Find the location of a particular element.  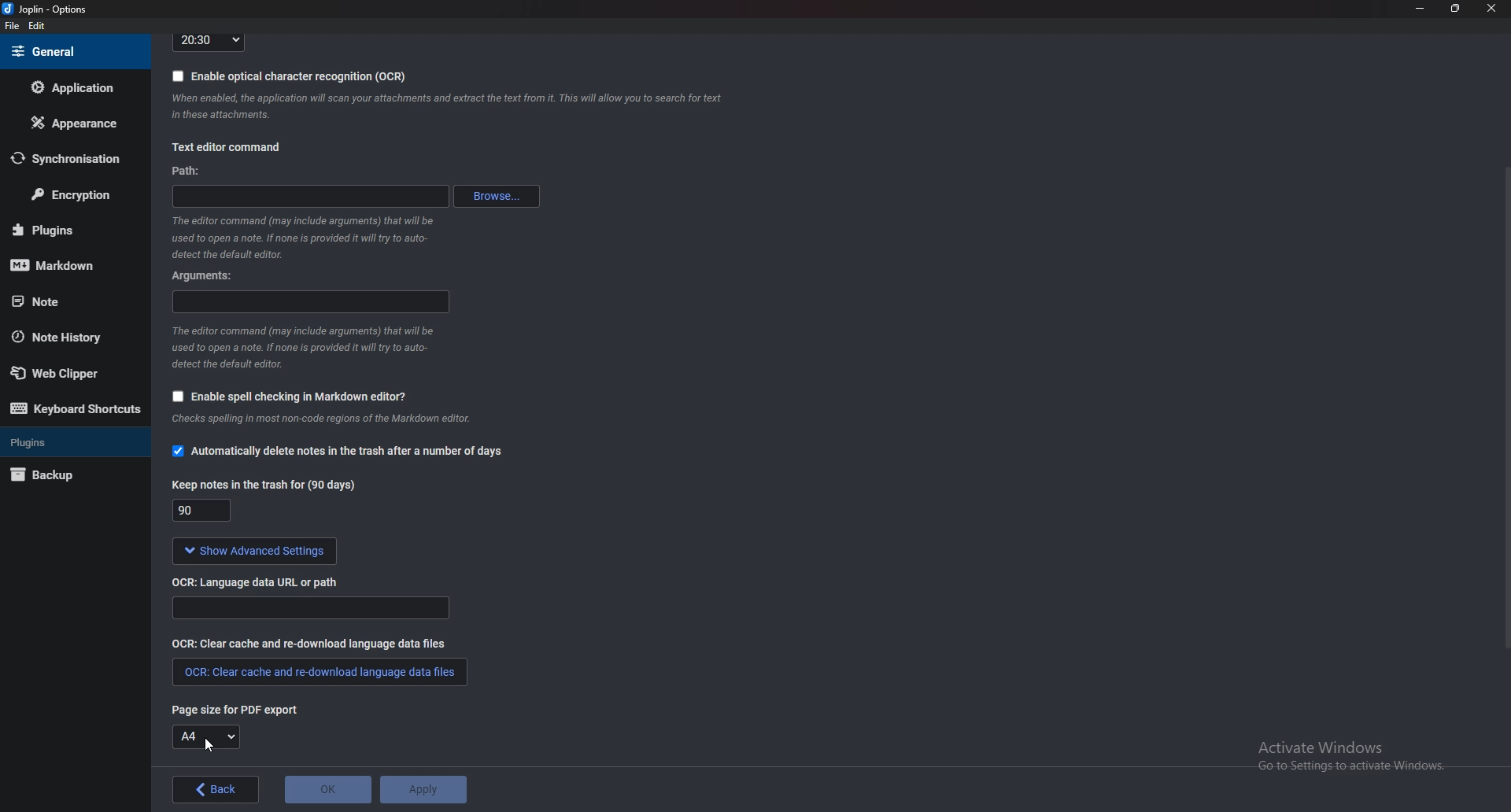

resize is located at coordinates (1454, 8).